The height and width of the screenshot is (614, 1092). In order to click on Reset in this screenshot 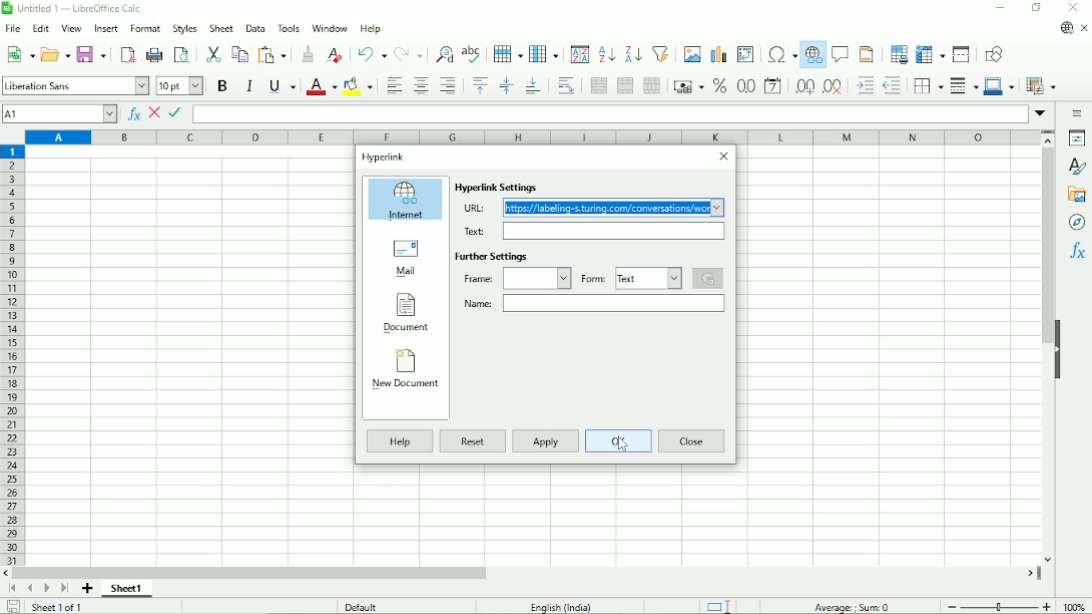, I will do `click(475, 443)`.